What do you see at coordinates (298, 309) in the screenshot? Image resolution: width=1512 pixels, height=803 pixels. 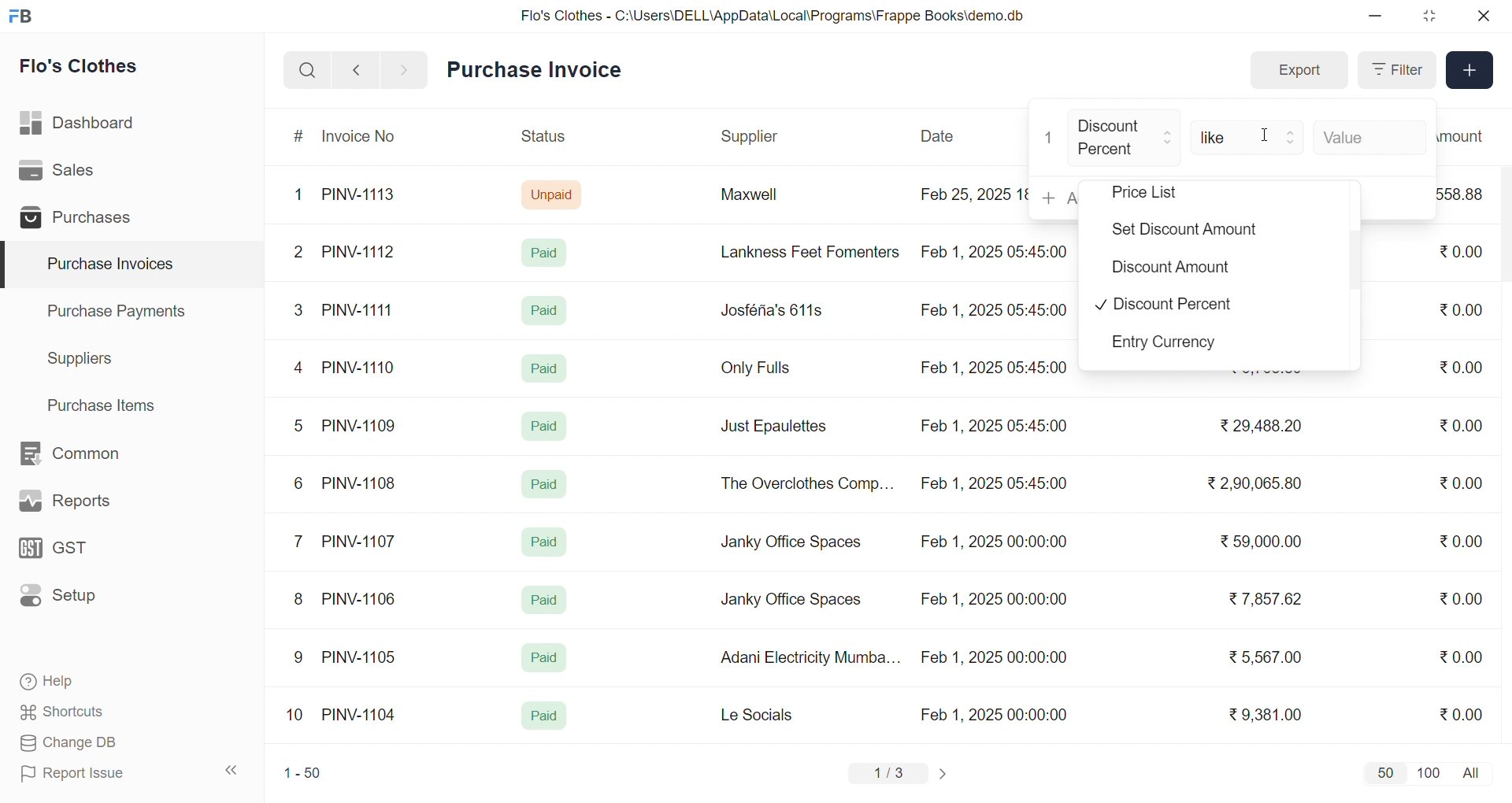 I see `3` at bounding box center [298, 309].